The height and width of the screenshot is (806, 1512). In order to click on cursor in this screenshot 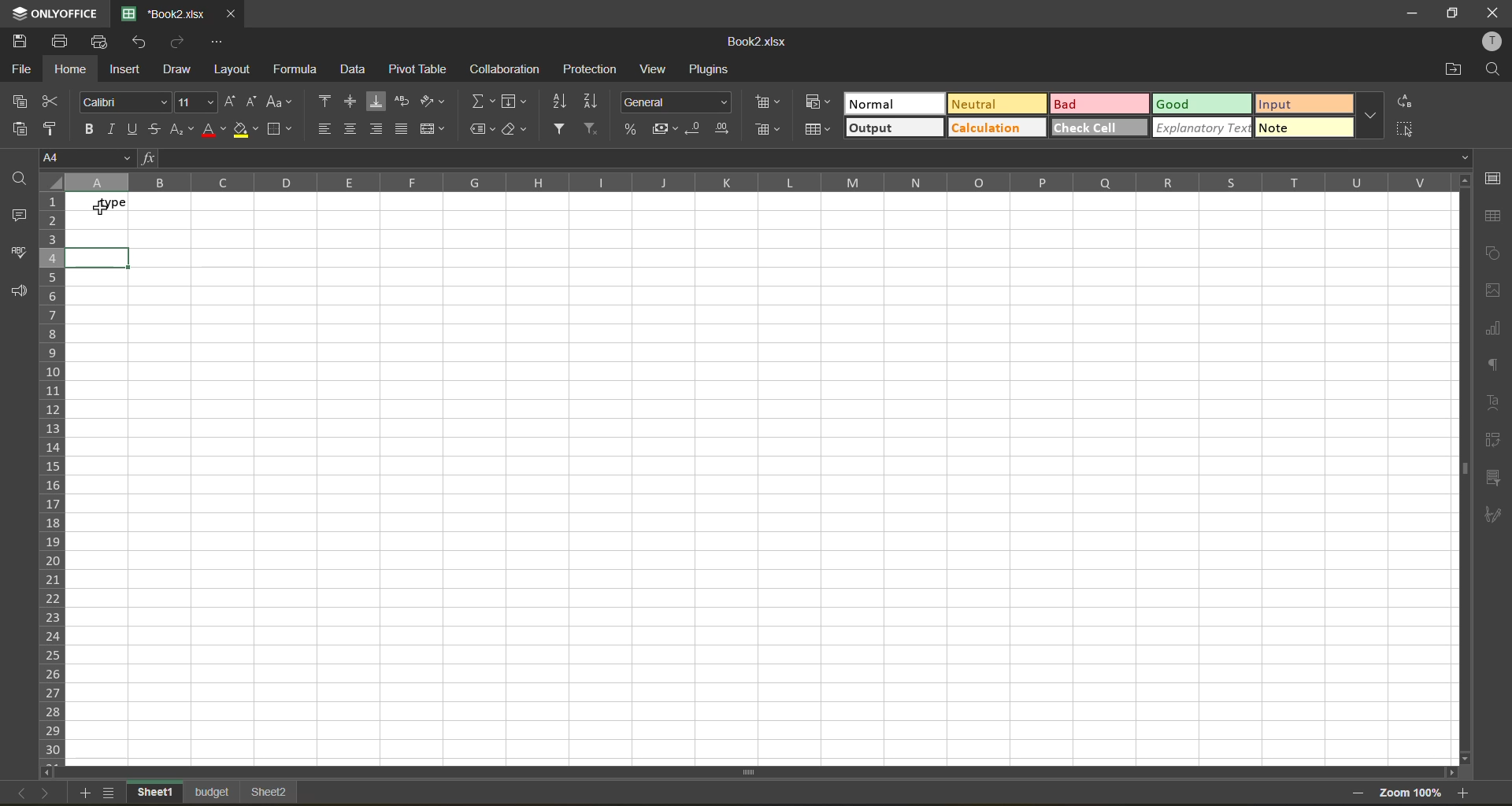, I will do `click(102, 209)`.